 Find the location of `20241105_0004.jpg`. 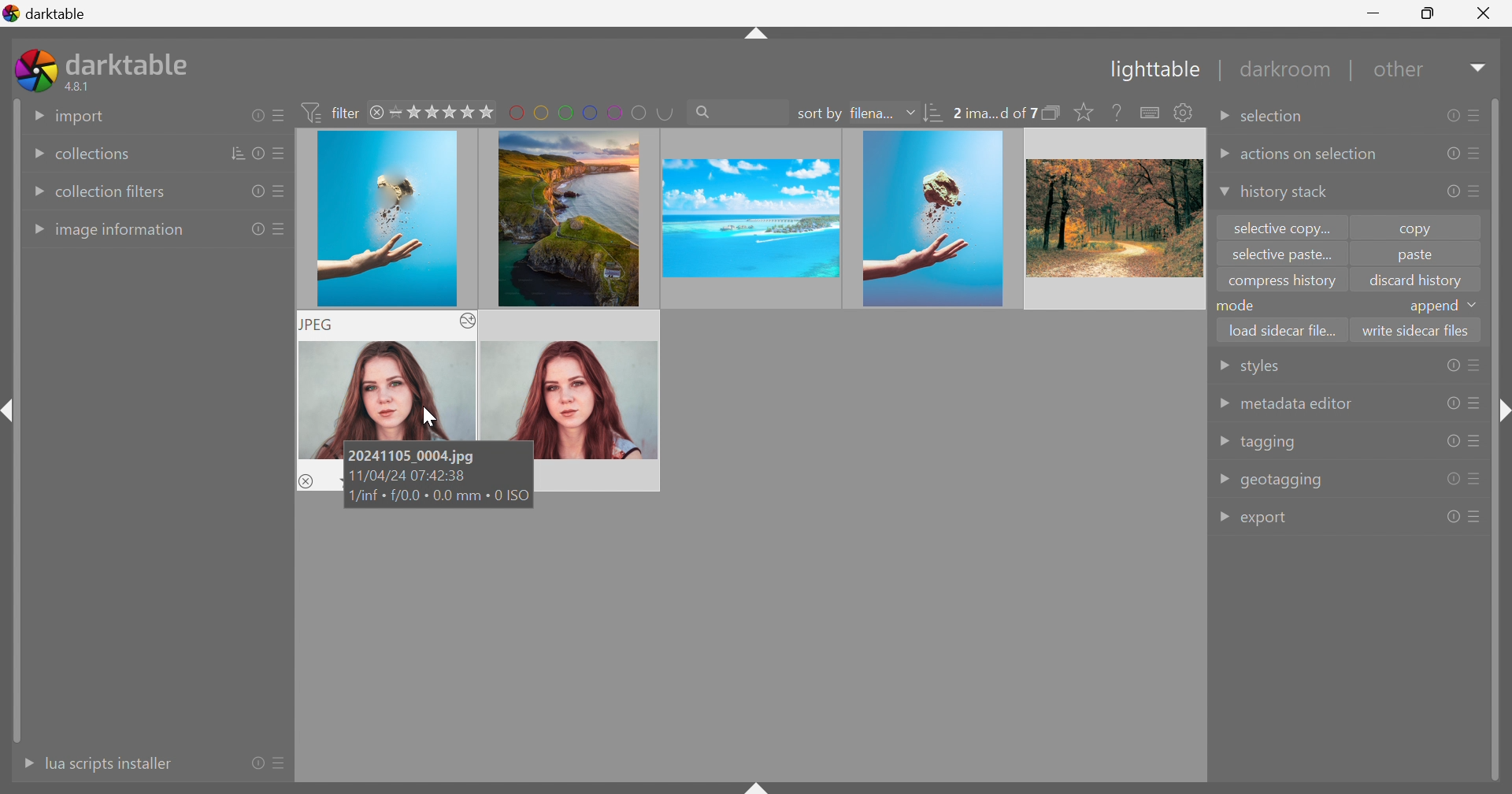

20241105_0004.jpg is located at coordinates (415, 455).